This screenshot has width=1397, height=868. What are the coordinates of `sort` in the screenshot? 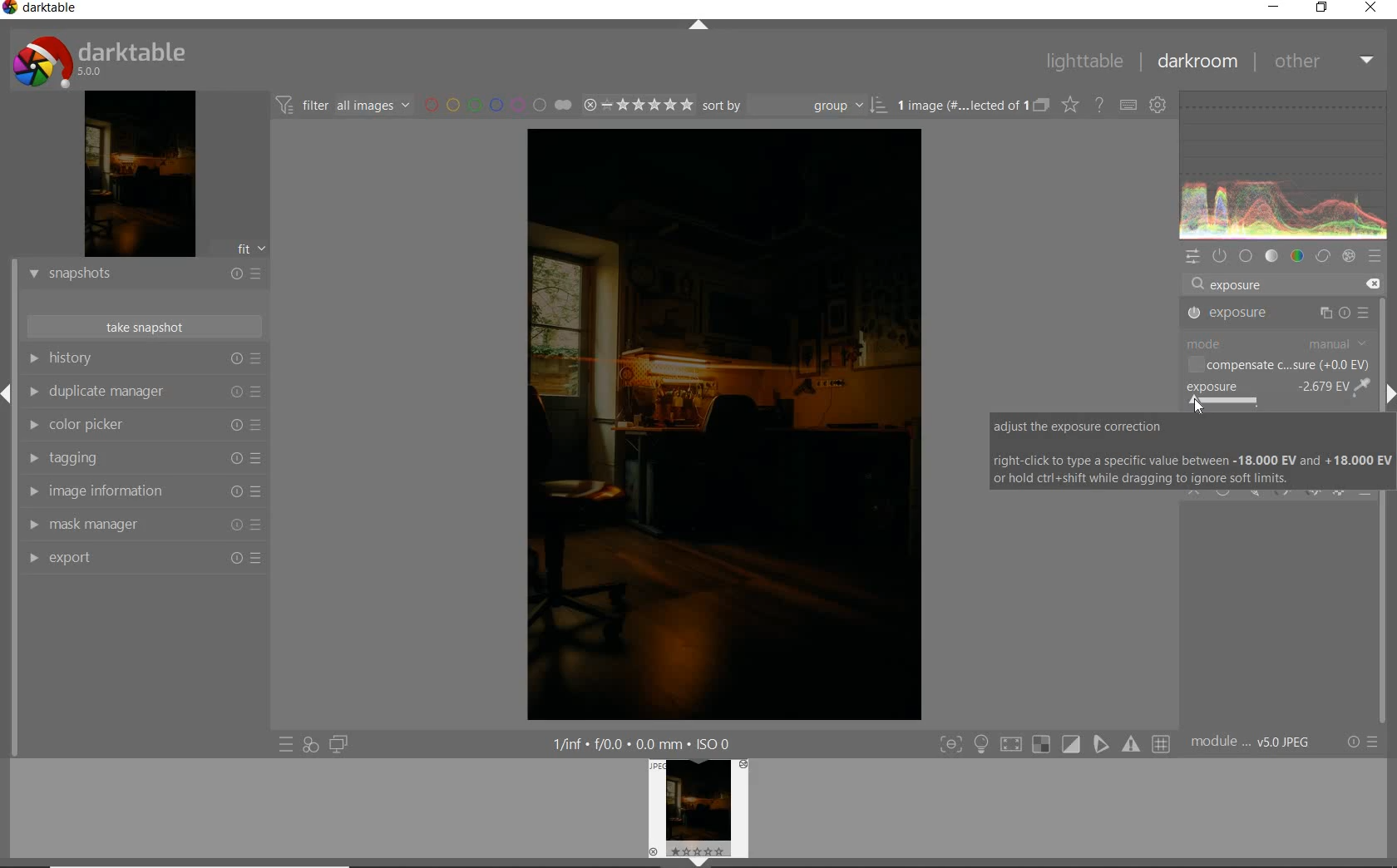 It's located at (793, 106).